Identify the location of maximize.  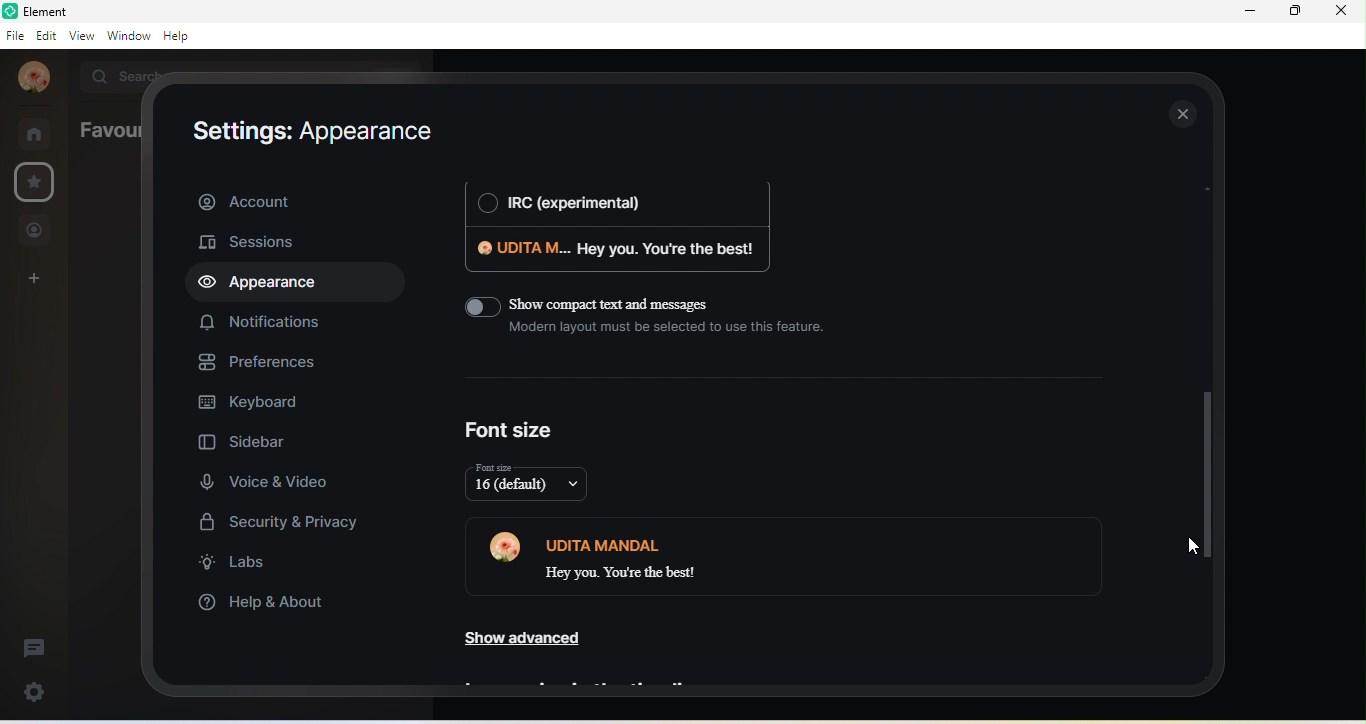
(1295, 15).